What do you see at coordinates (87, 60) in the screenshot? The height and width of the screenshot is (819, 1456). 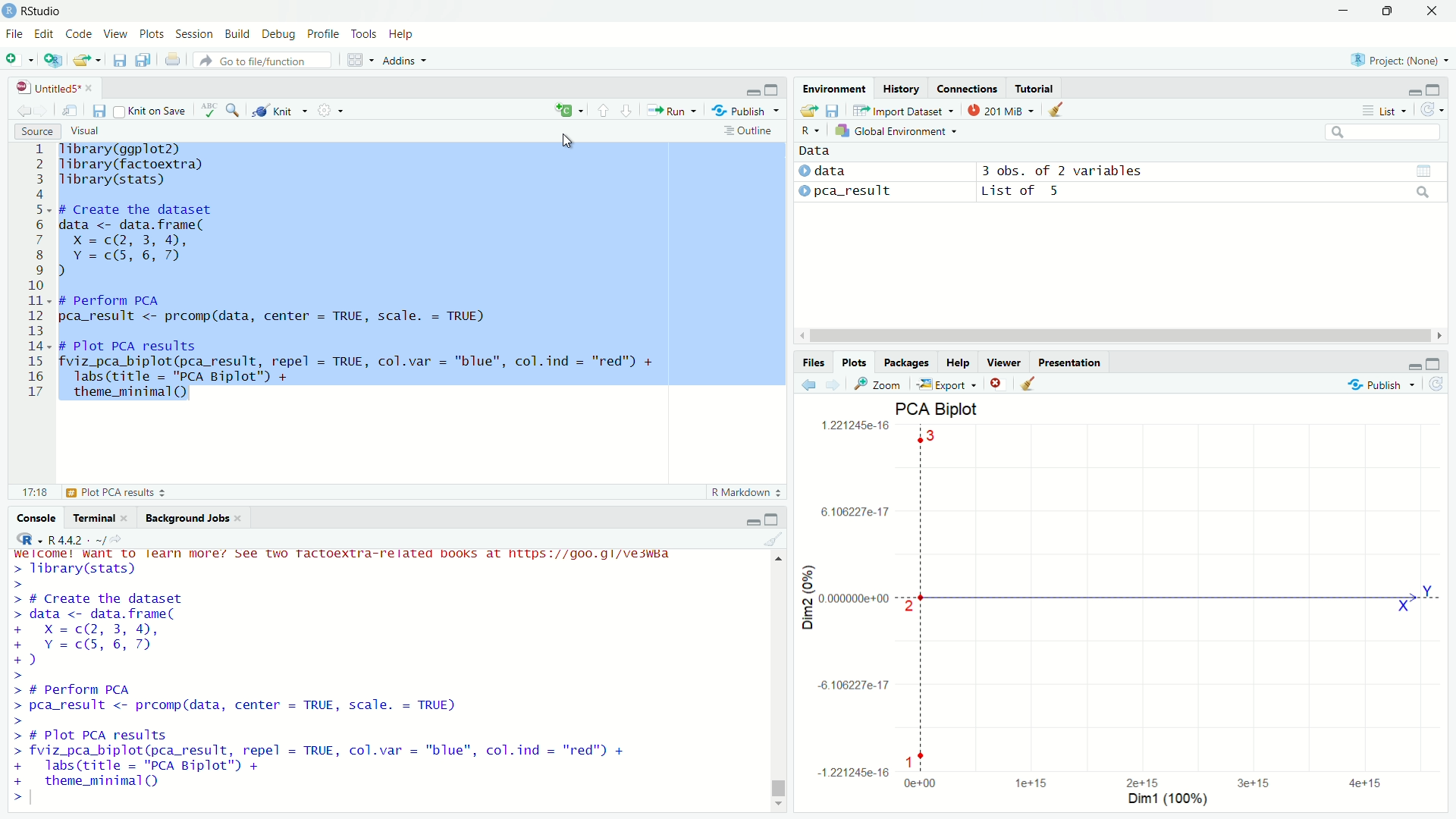 I see `open an existing file` at bounding box center [87, 60].